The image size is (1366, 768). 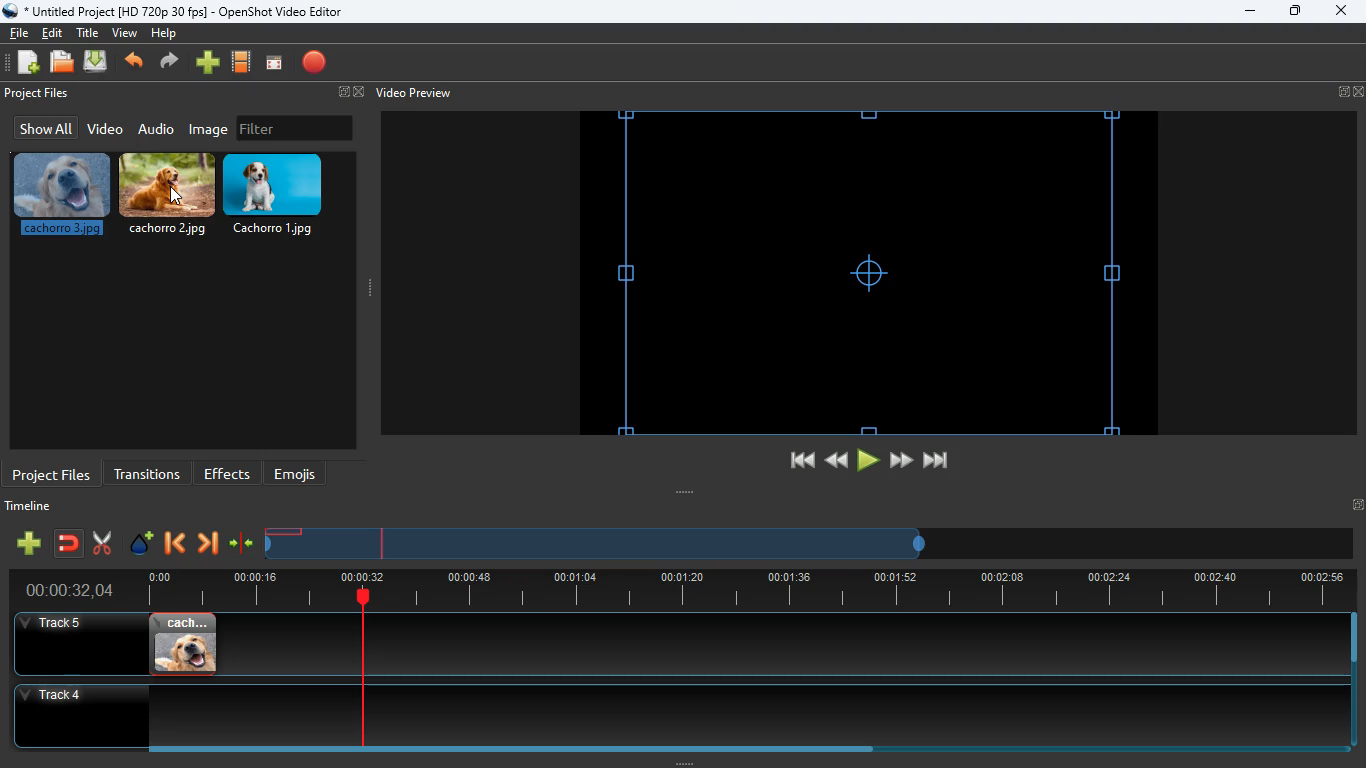 What do you see at coordinates (98, 63) in the screenshot?
I see `upload` at bounding box center [98, 63].